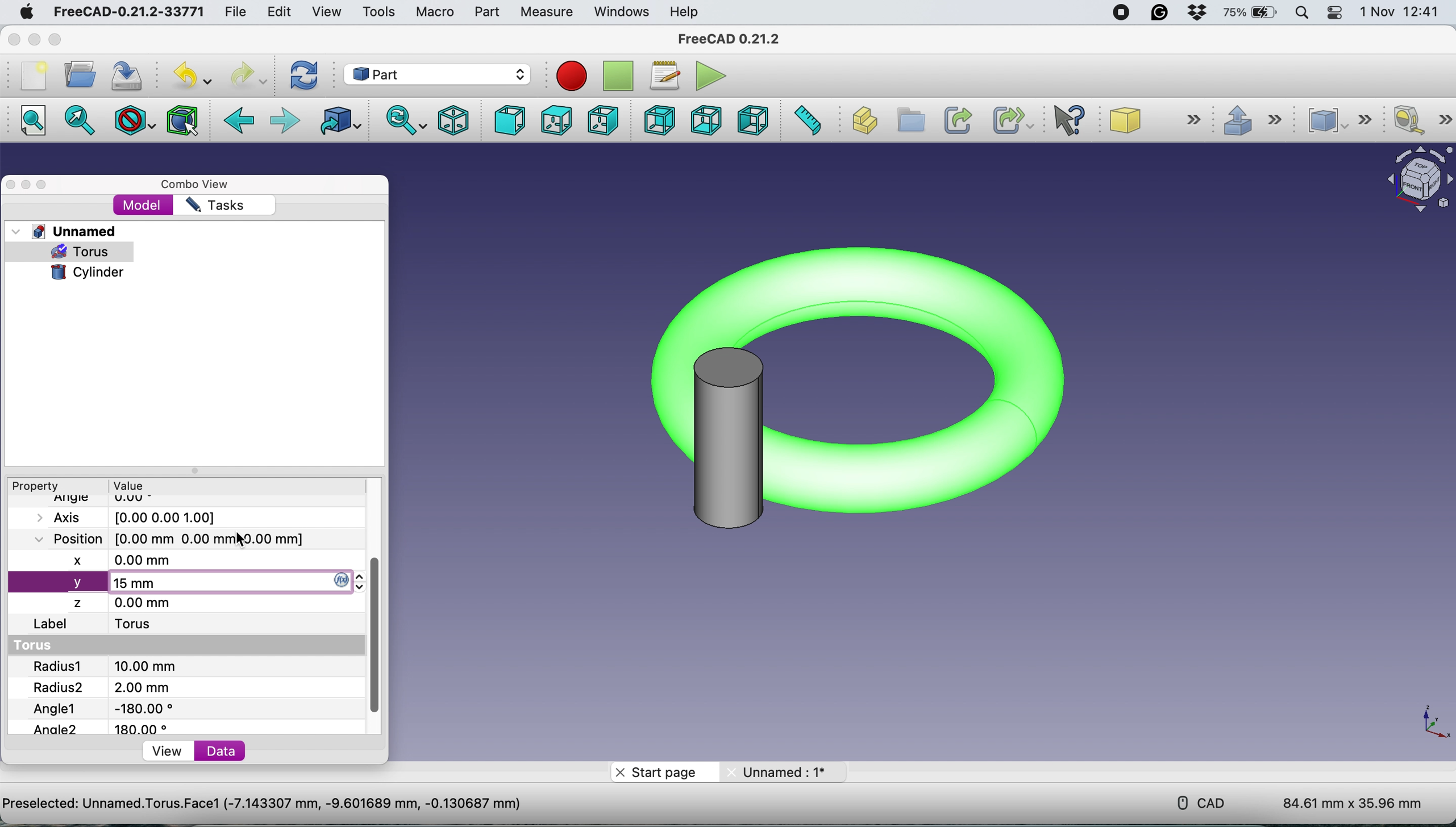  What do you see at coordinates (618, 76) in the screenshot?
I see `stop recording macros` at bounding box center [618, 76].